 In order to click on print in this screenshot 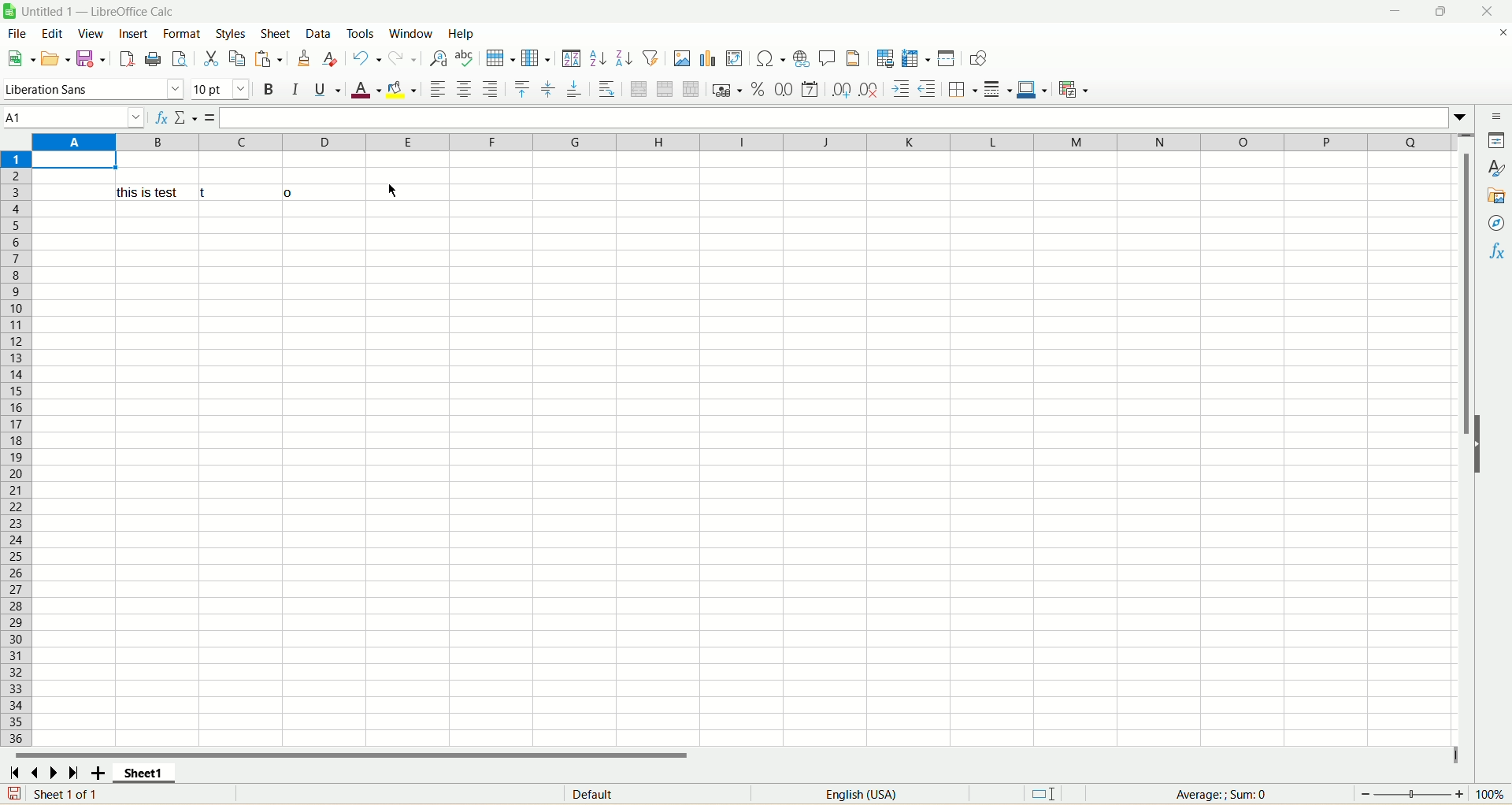, I will do `click(152, 58)`.